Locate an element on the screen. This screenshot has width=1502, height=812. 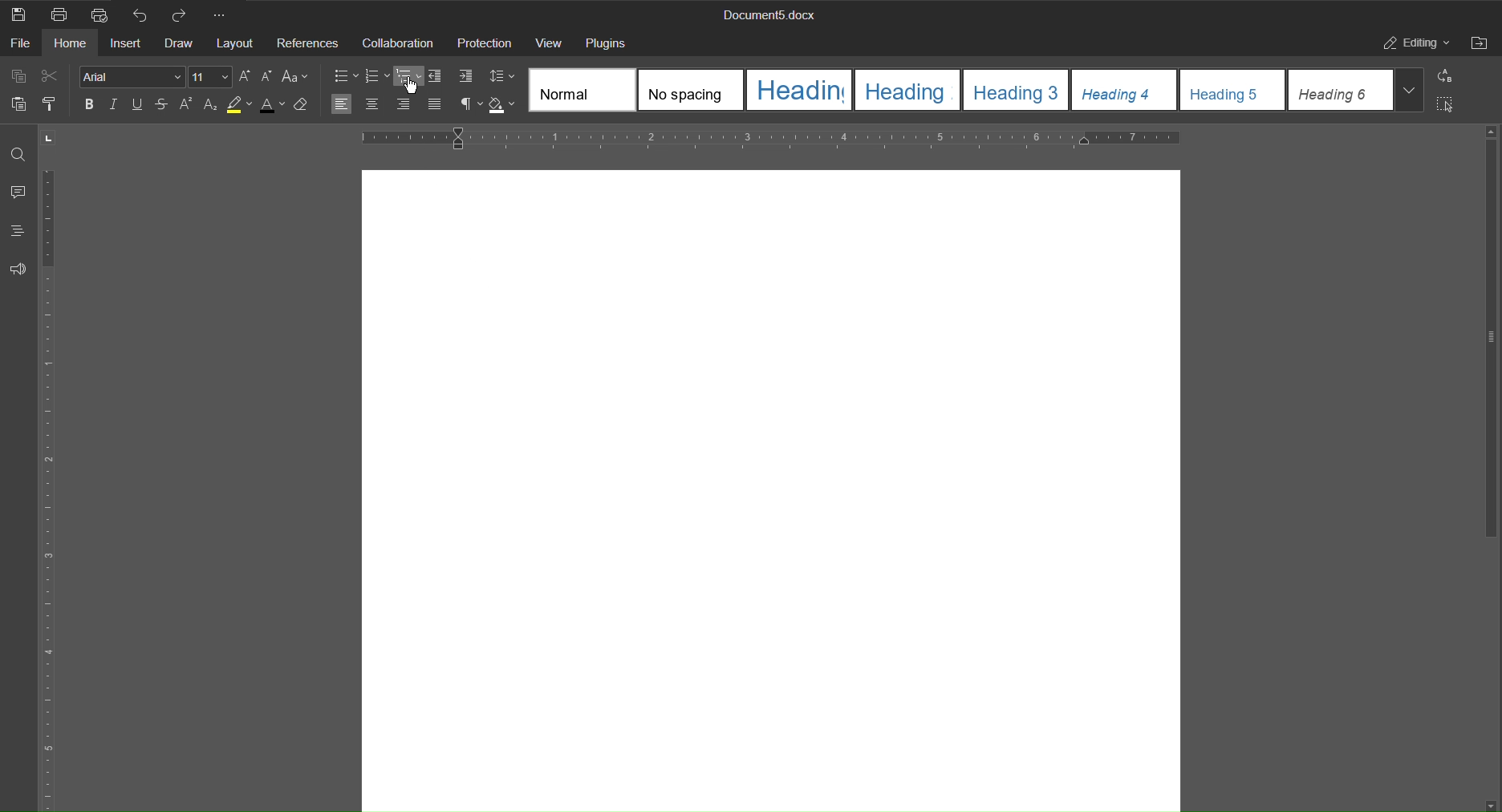
Paste is located at coordinates (17, 106).